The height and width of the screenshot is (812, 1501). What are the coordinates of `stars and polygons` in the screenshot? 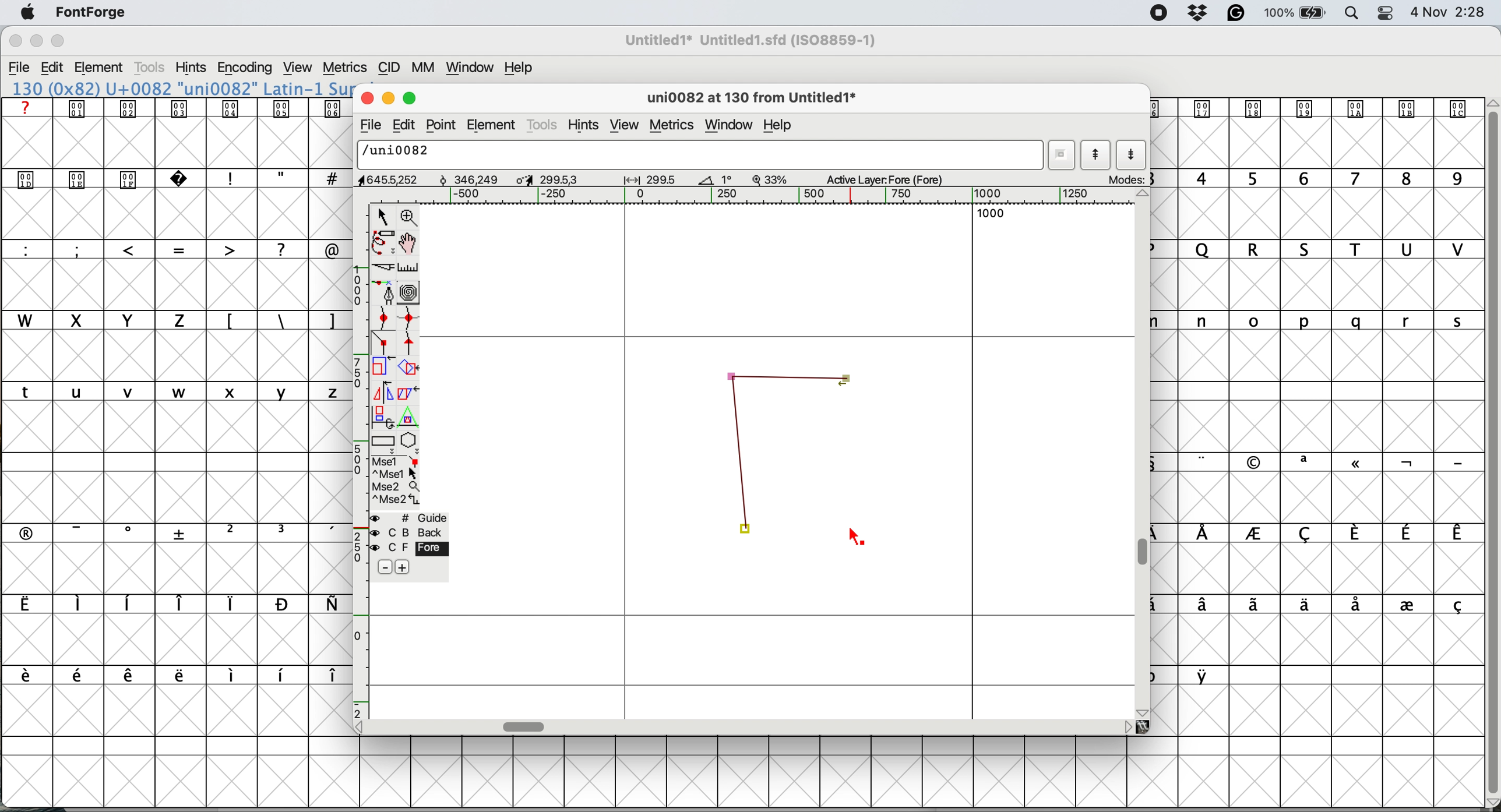 It's located at (410, 443).